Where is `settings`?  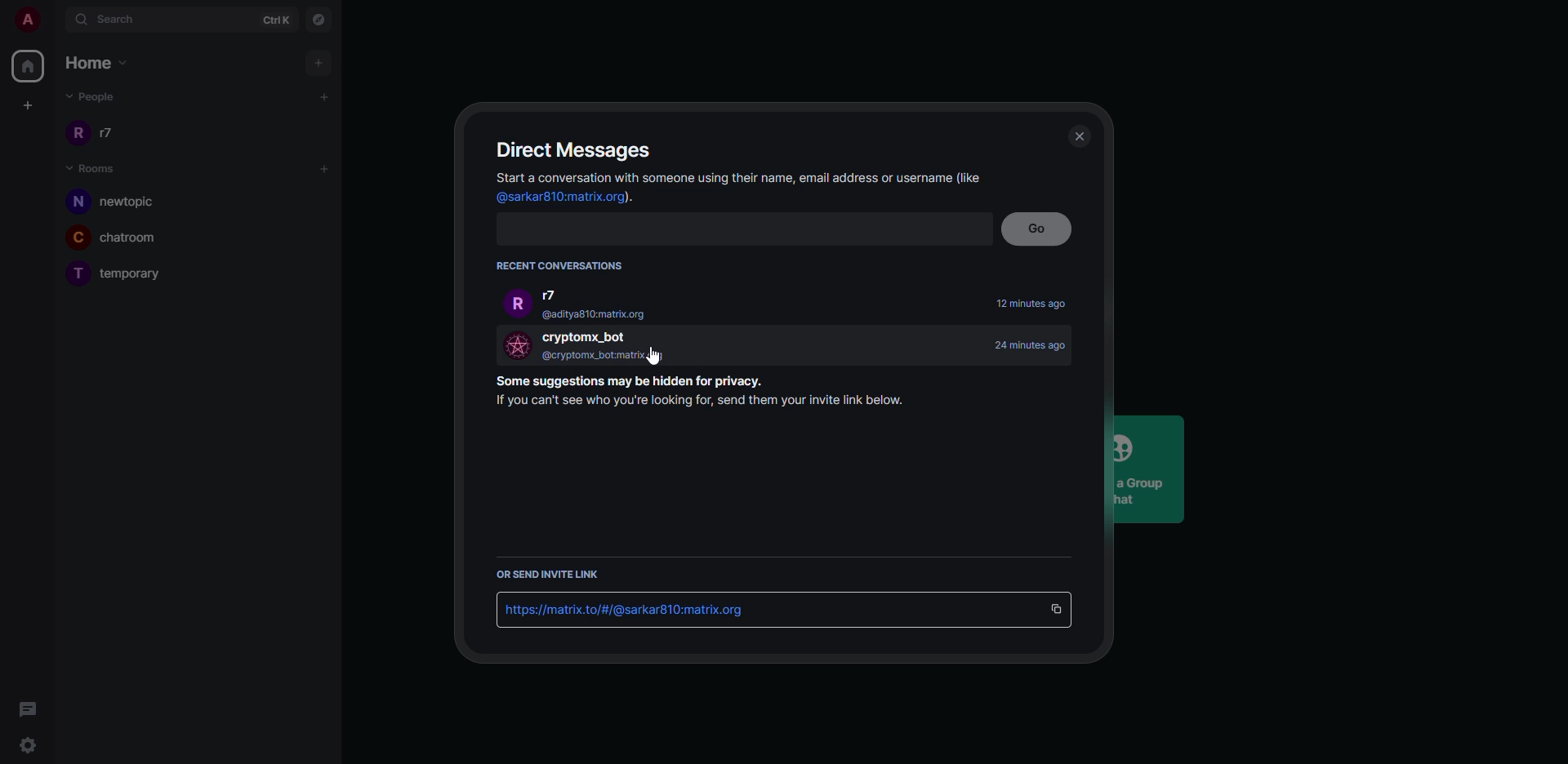 settings is located at coordinates (33, 744).